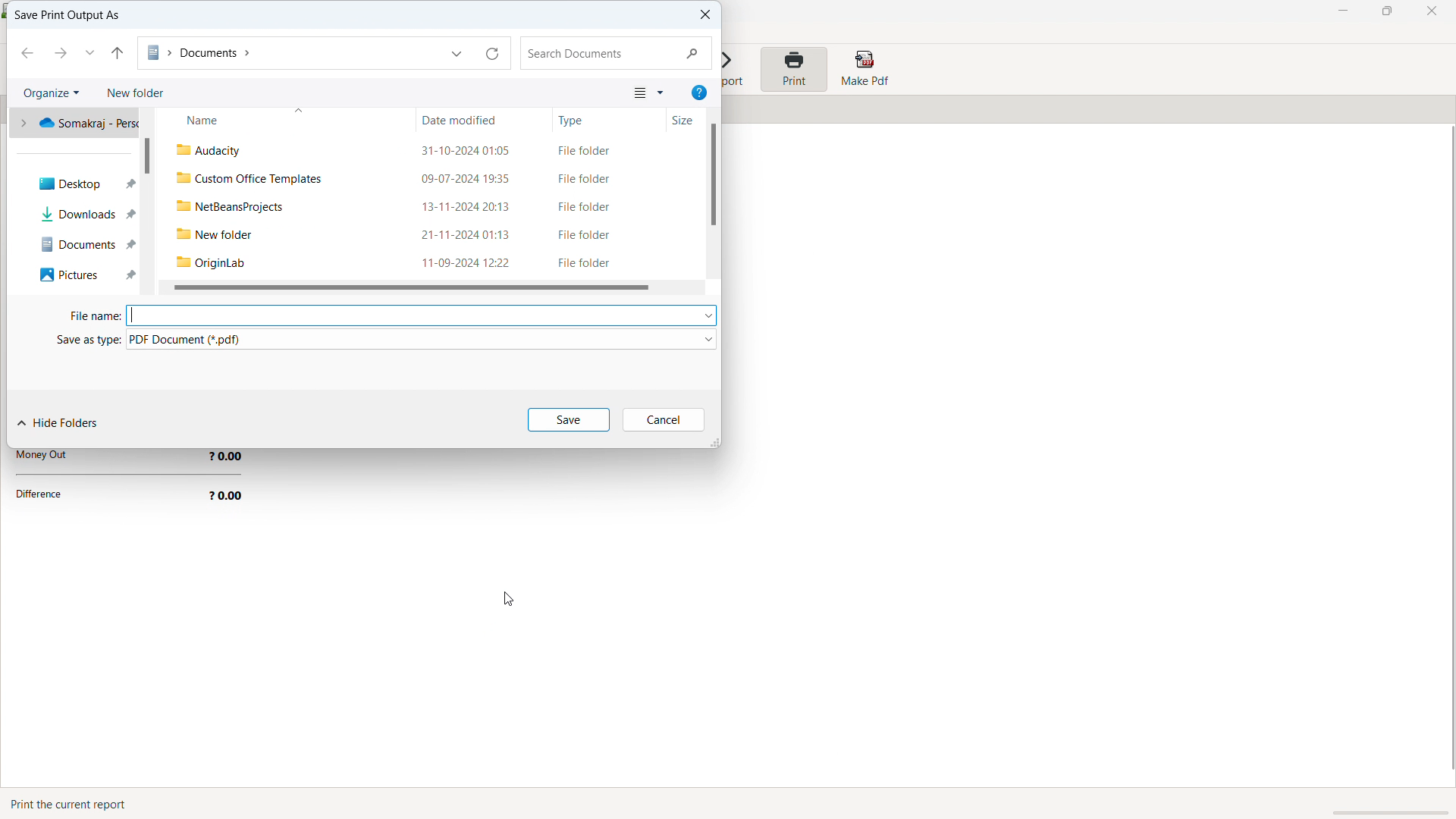 This screenshot has width=1456, height=819. I want to click on select format to save as, so click(422, 339).